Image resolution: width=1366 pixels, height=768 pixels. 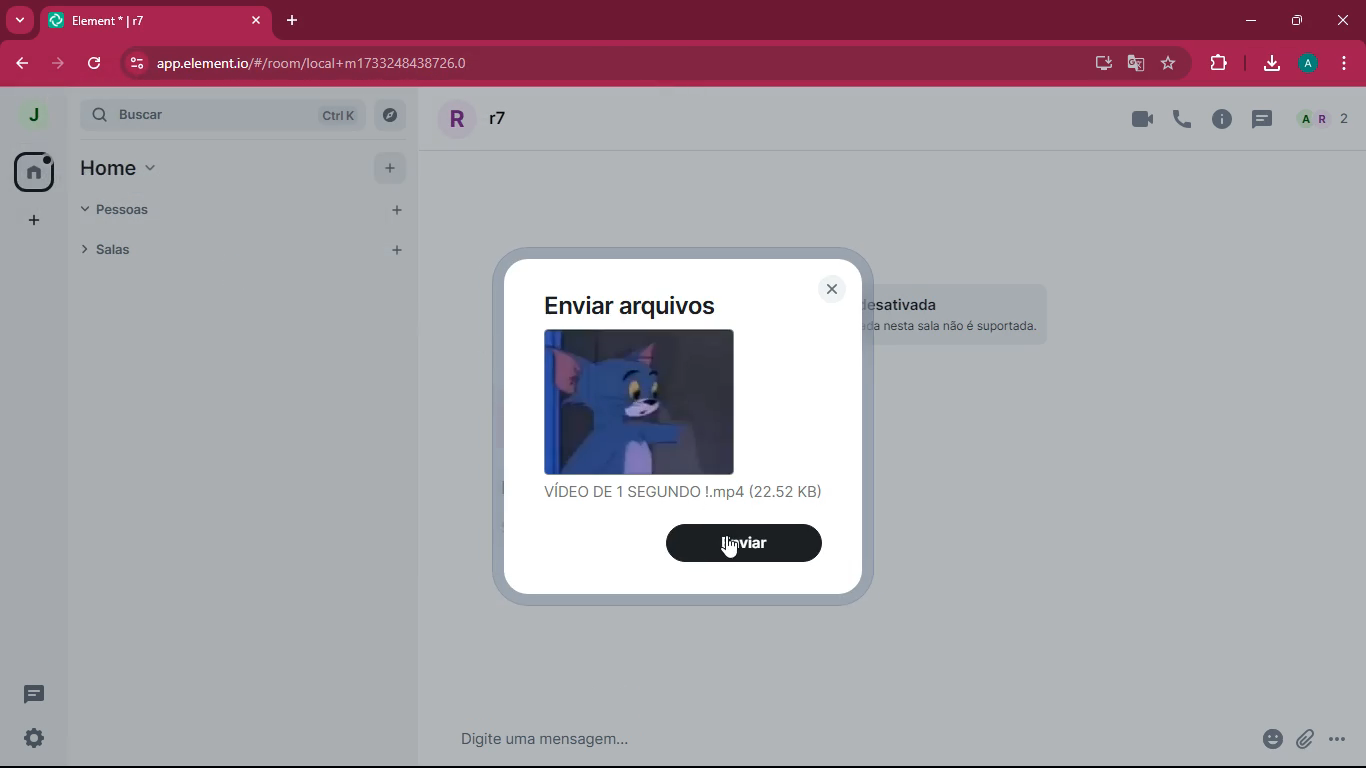 I want to click on more, so click(x=31, y=221).